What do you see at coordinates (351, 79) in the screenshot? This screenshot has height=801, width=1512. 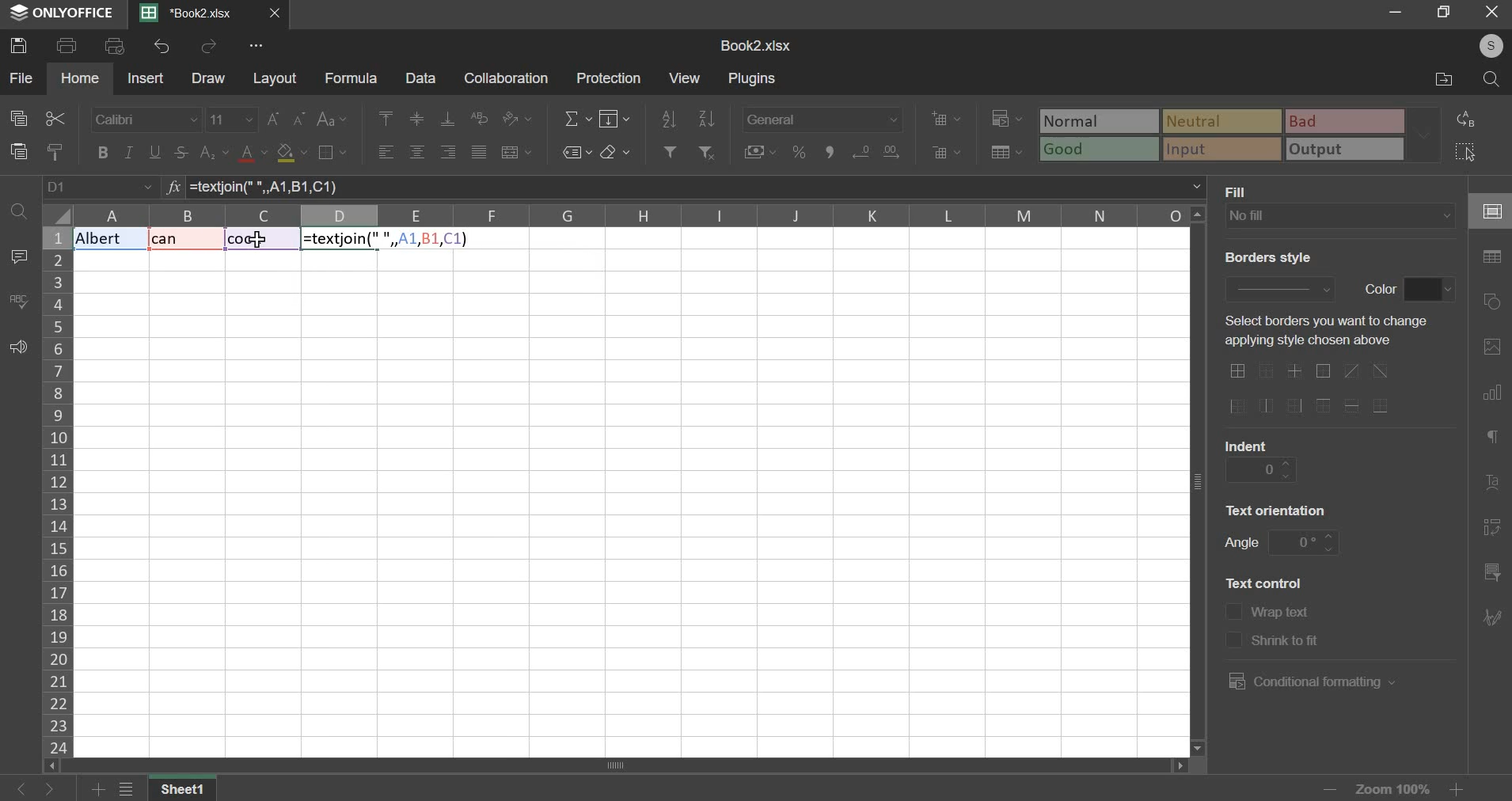 I see `formula` at bounding box center [351, 79].